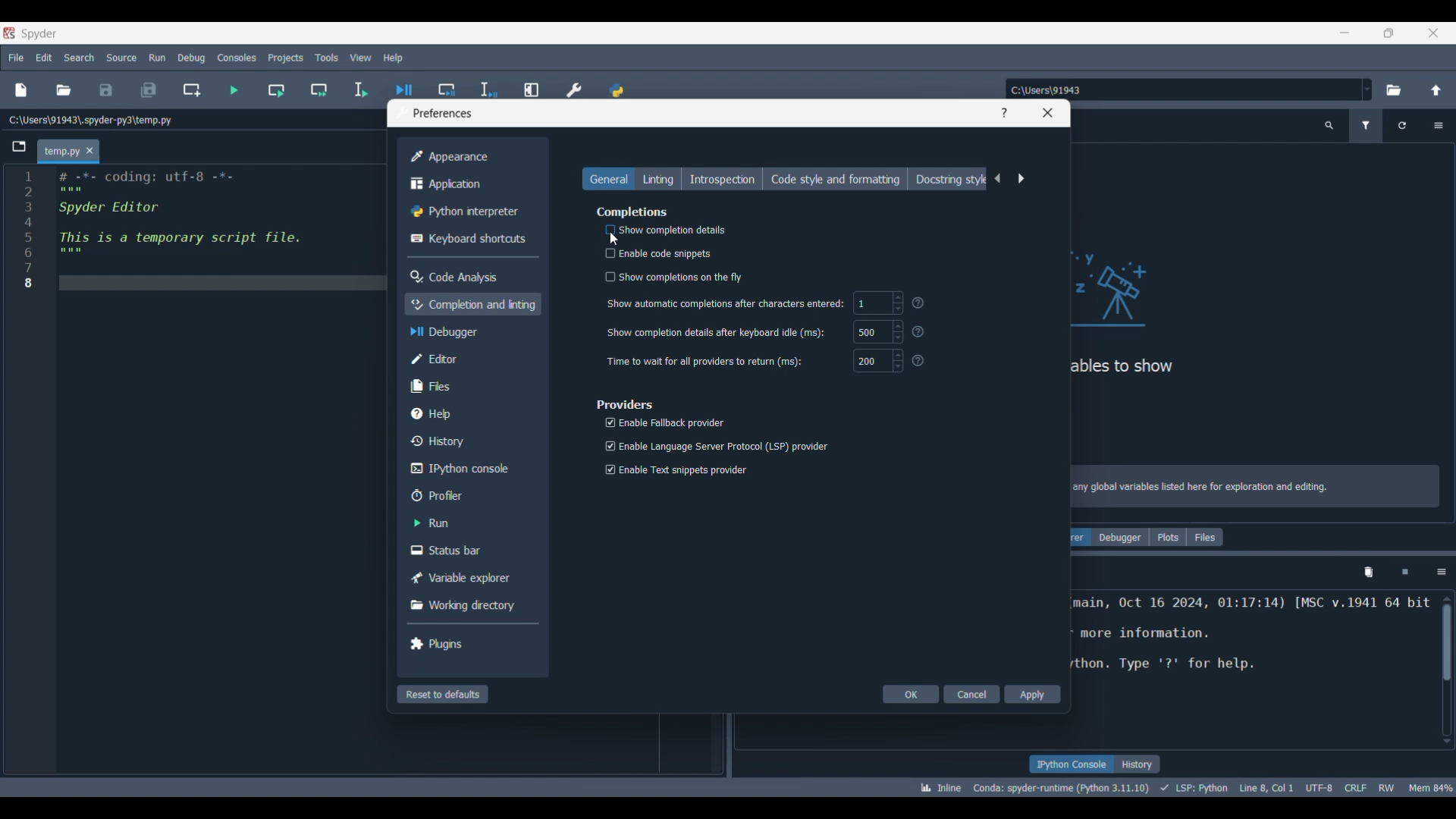  Describe the element at coordinates (632, 211) in the screenshot. I see `Completions` at that location.